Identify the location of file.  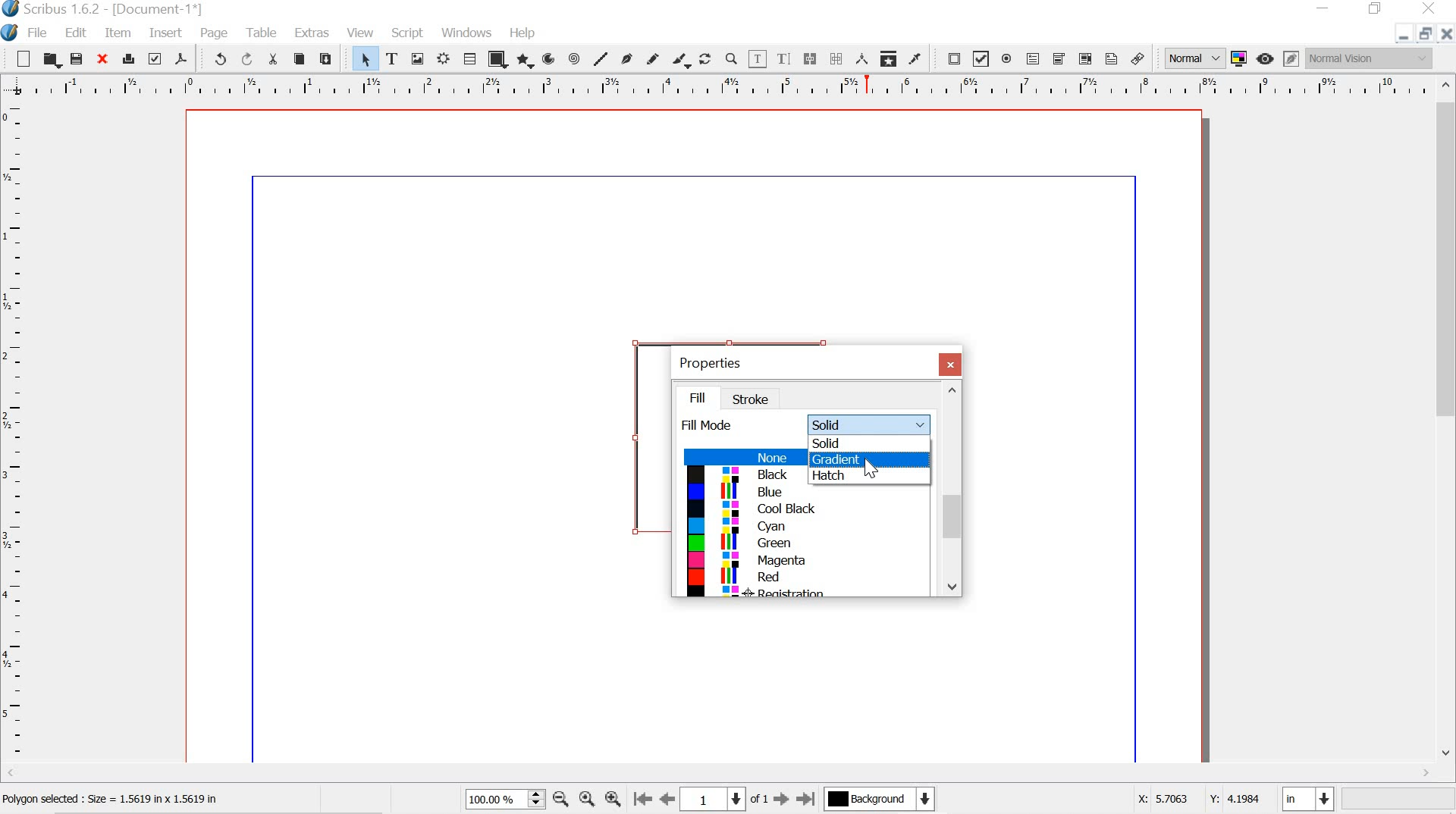
(40, 33).